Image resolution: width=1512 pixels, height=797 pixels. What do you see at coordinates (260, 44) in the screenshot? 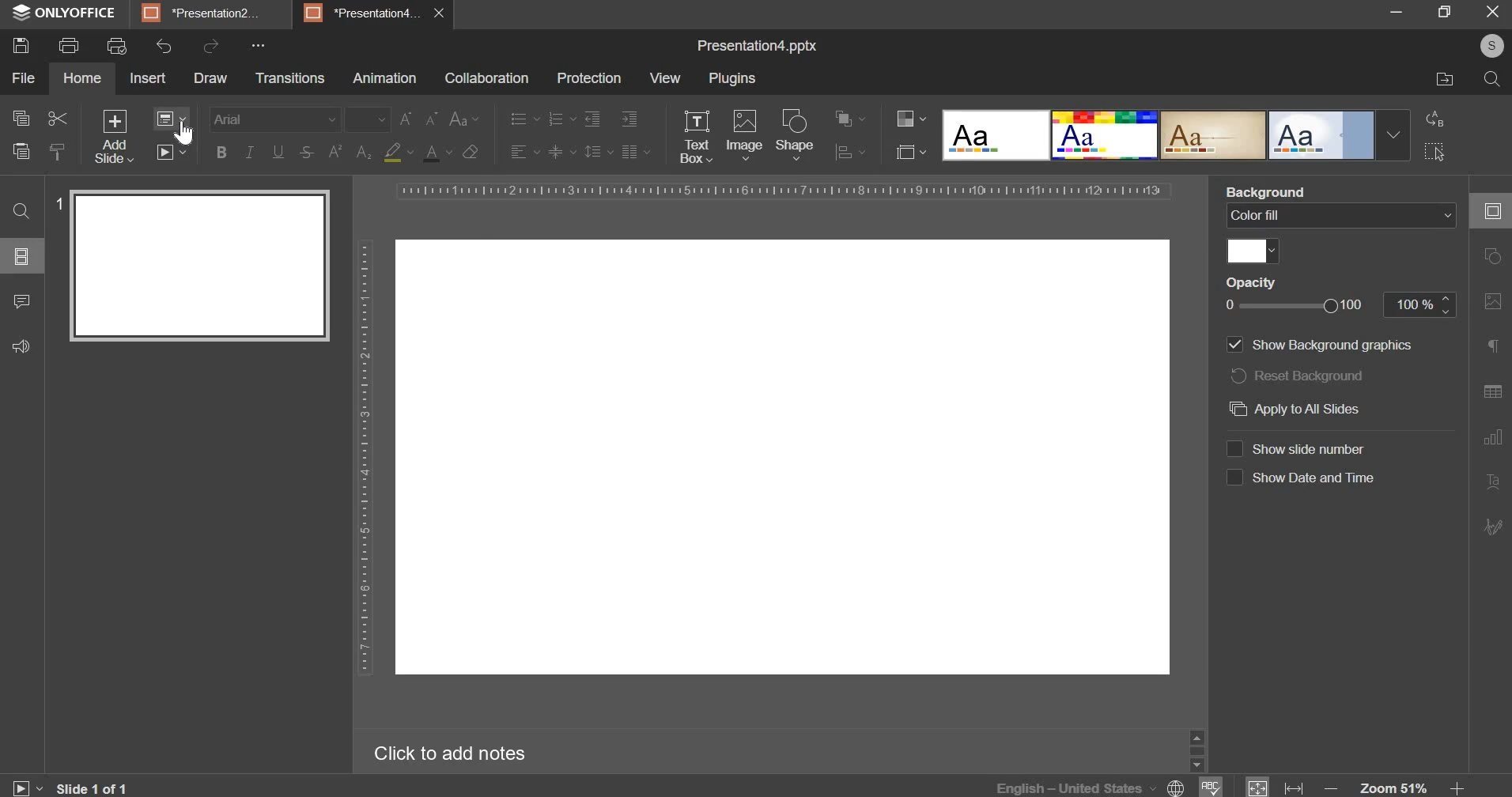
I see `more options` at bounding box center [260, 44].